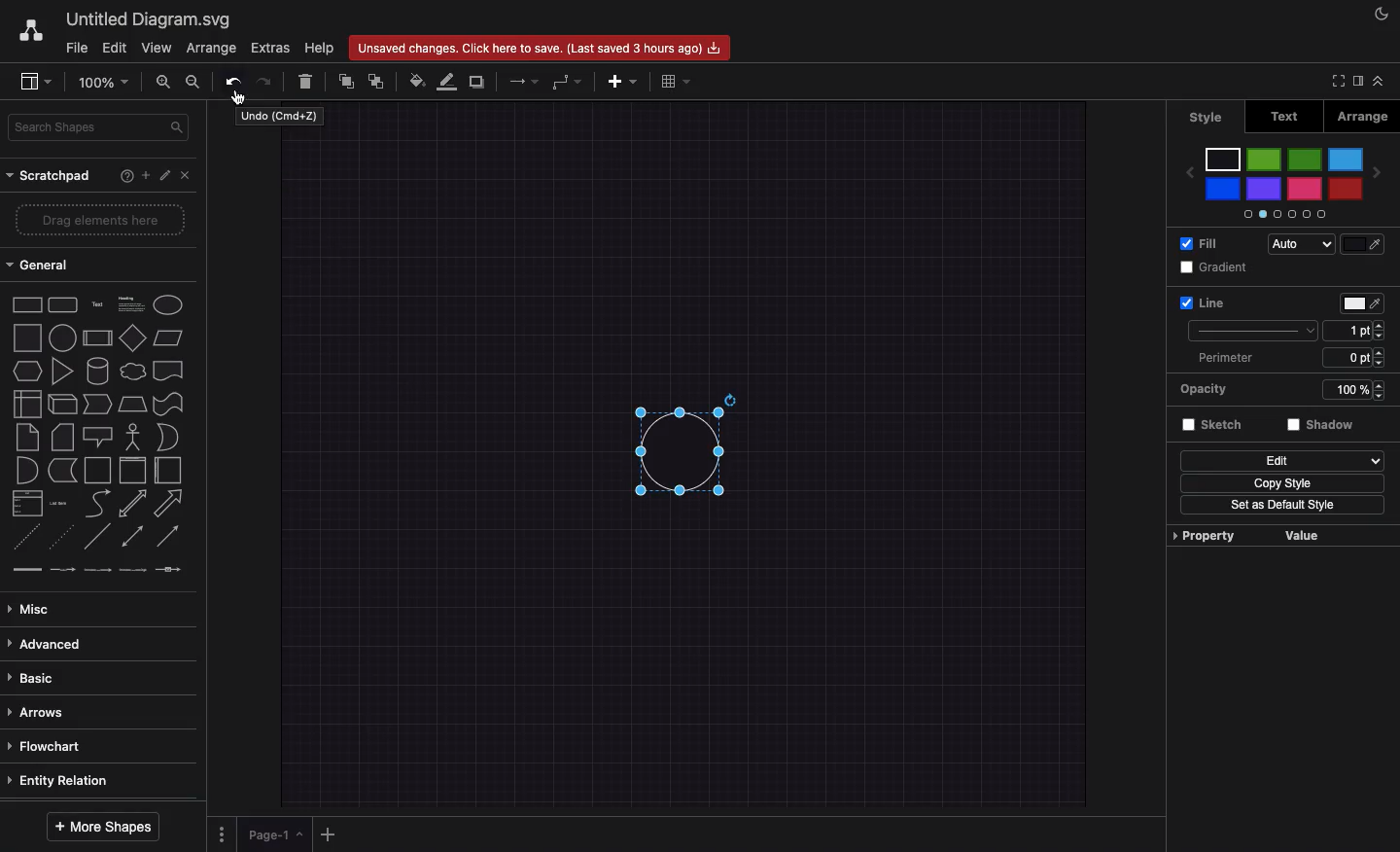 This screenshot has width=1400, height=852. Describe the element at coordinates (185, 174) in the screenshot. I see `Close` at that location.